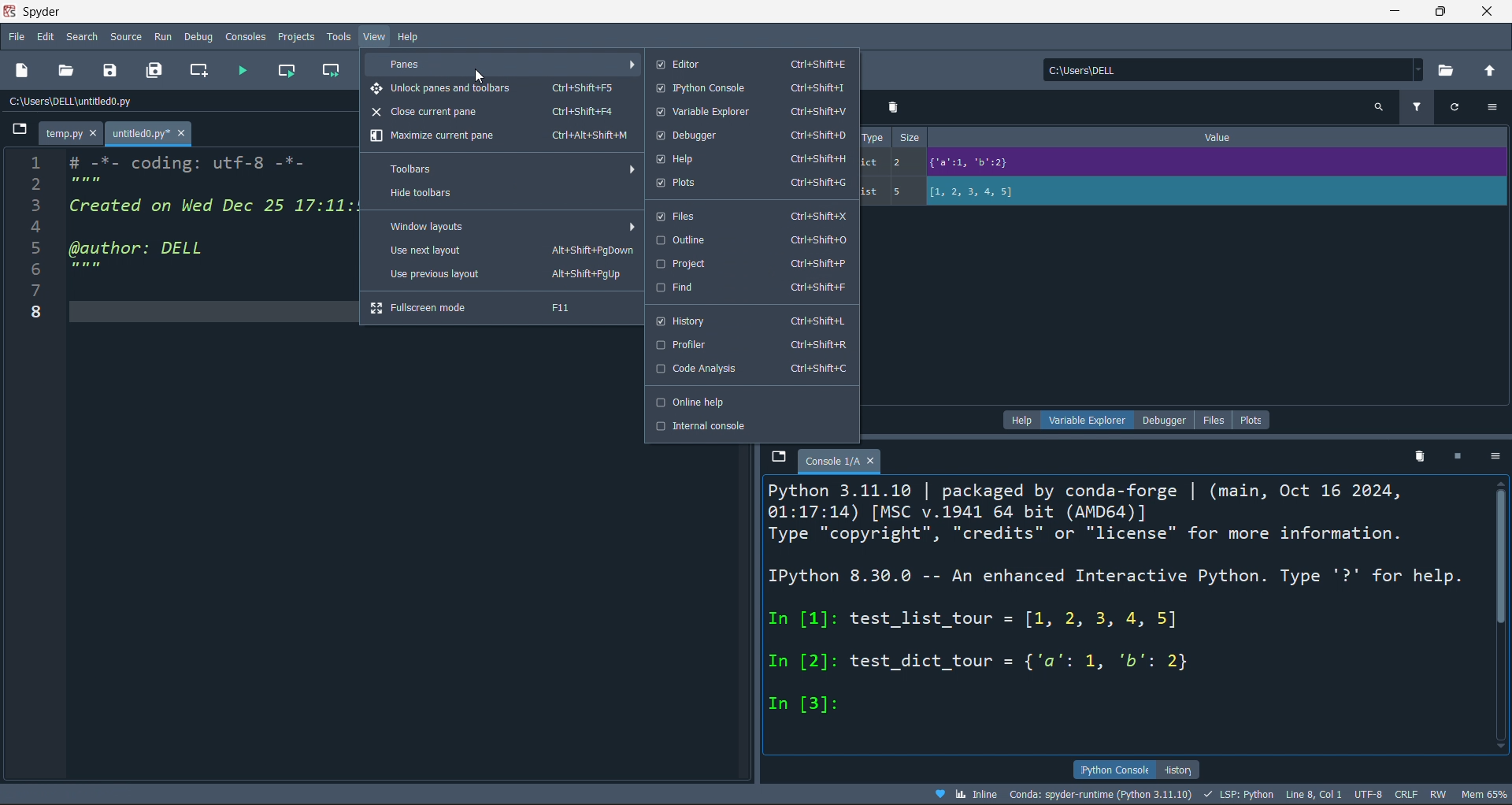 This screenshot has height=805, width=1512. Describe the element at coordinates (751, 64) in the screenshot. I see `editor` at that location.